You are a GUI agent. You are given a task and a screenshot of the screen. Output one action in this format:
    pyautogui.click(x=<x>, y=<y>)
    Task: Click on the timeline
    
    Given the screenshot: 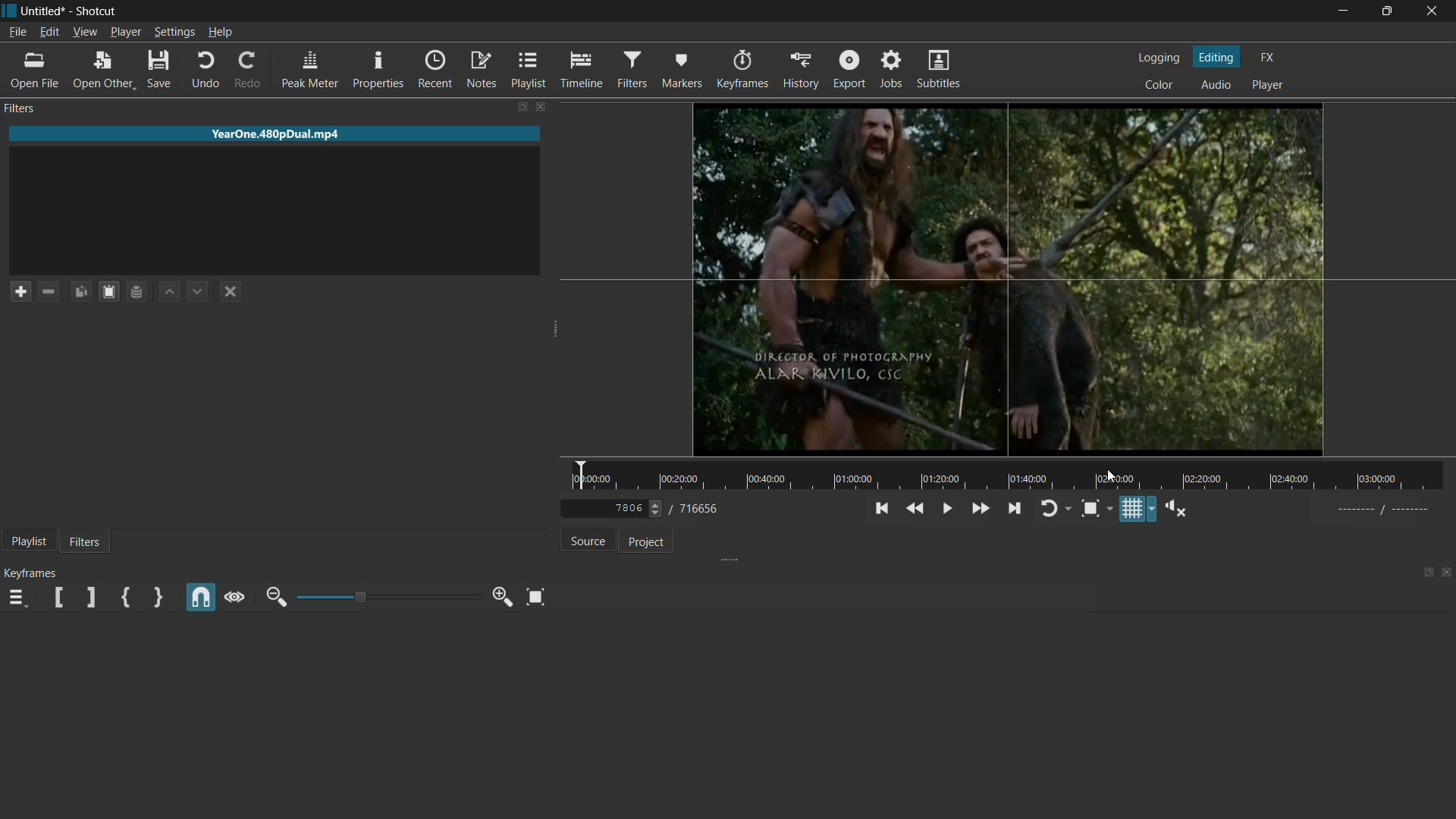 What is the action you would take?
    pyautogui.click(x=584, y=70)
    